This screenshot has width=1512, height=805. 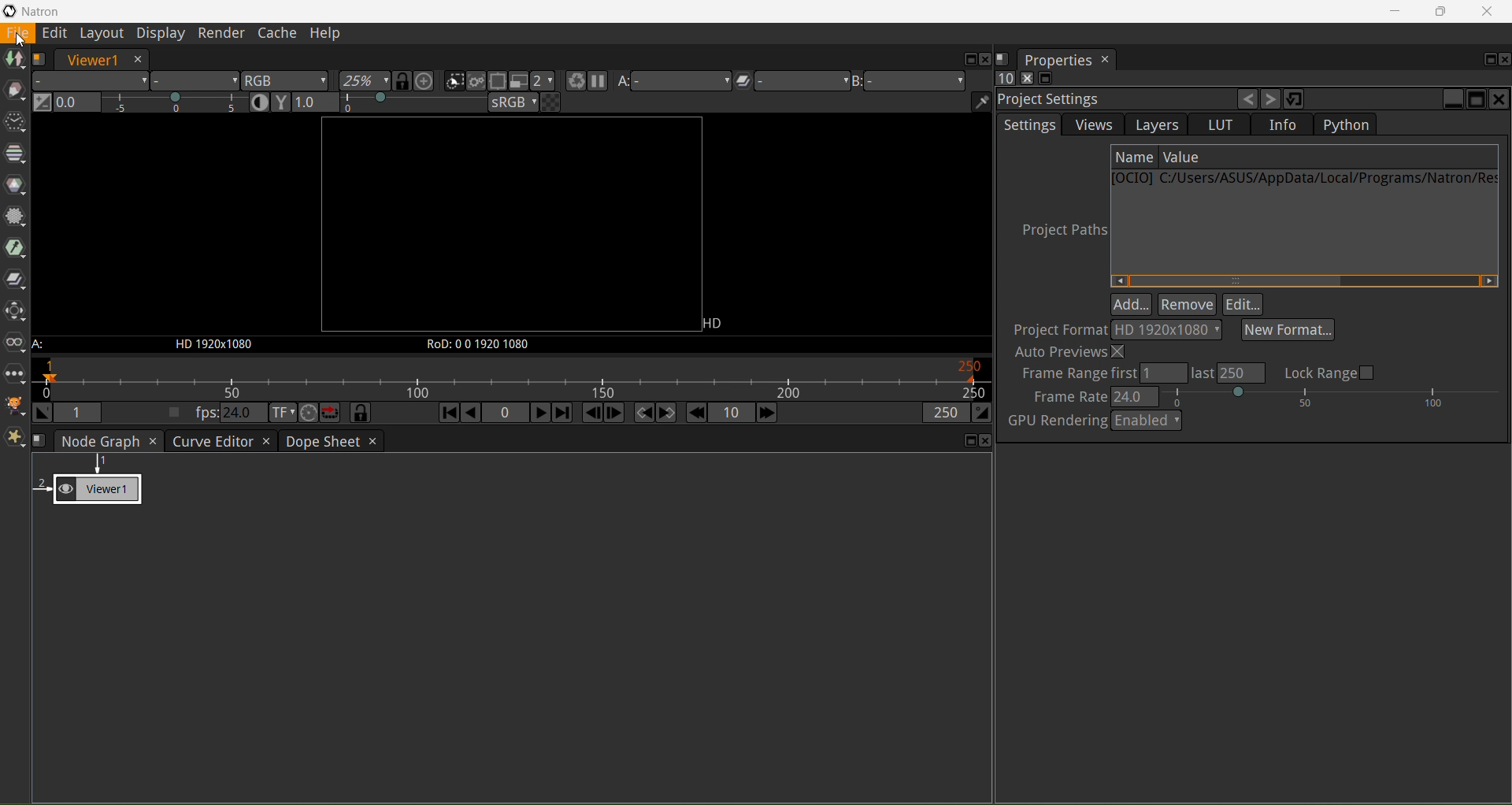 What do you see at coordinates (361, 414) in the screenshot?
I see `When activated, the timeline frame-range is synchronized with the Dope Sheet and the curve Editor` at bounding box center [361, 414].